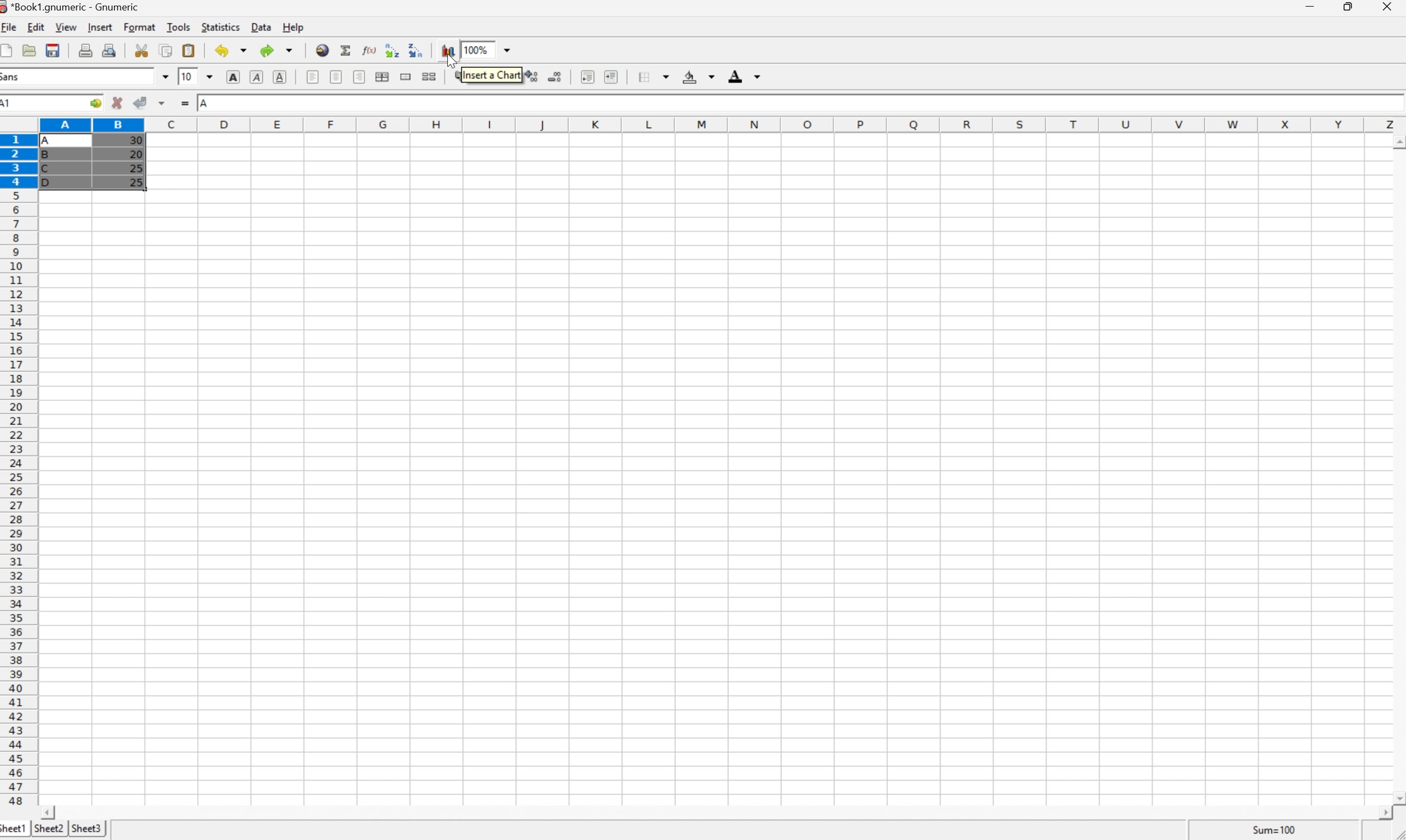  What do you see at coordinates (12, 76) in the screenshot?
I see `Sans` at bounding box center [12, 76].